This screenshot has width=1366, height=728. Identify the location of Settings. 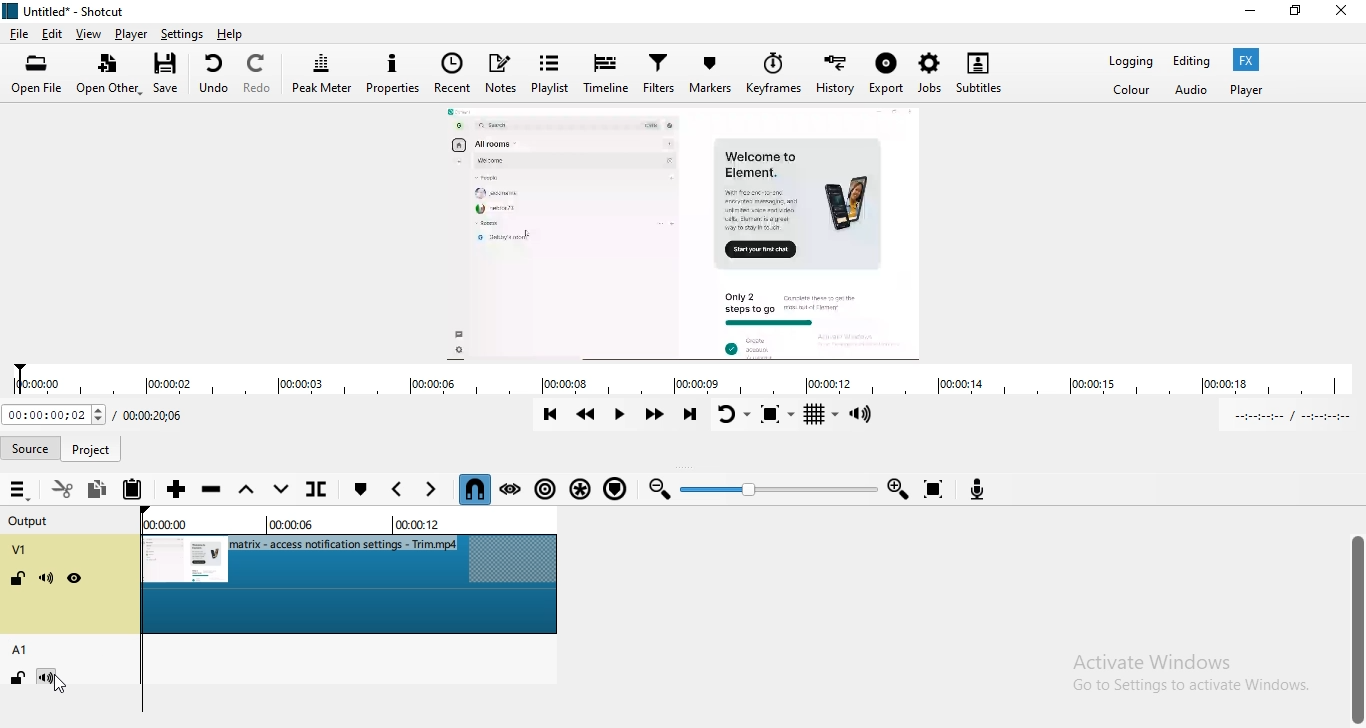
(184, 34).